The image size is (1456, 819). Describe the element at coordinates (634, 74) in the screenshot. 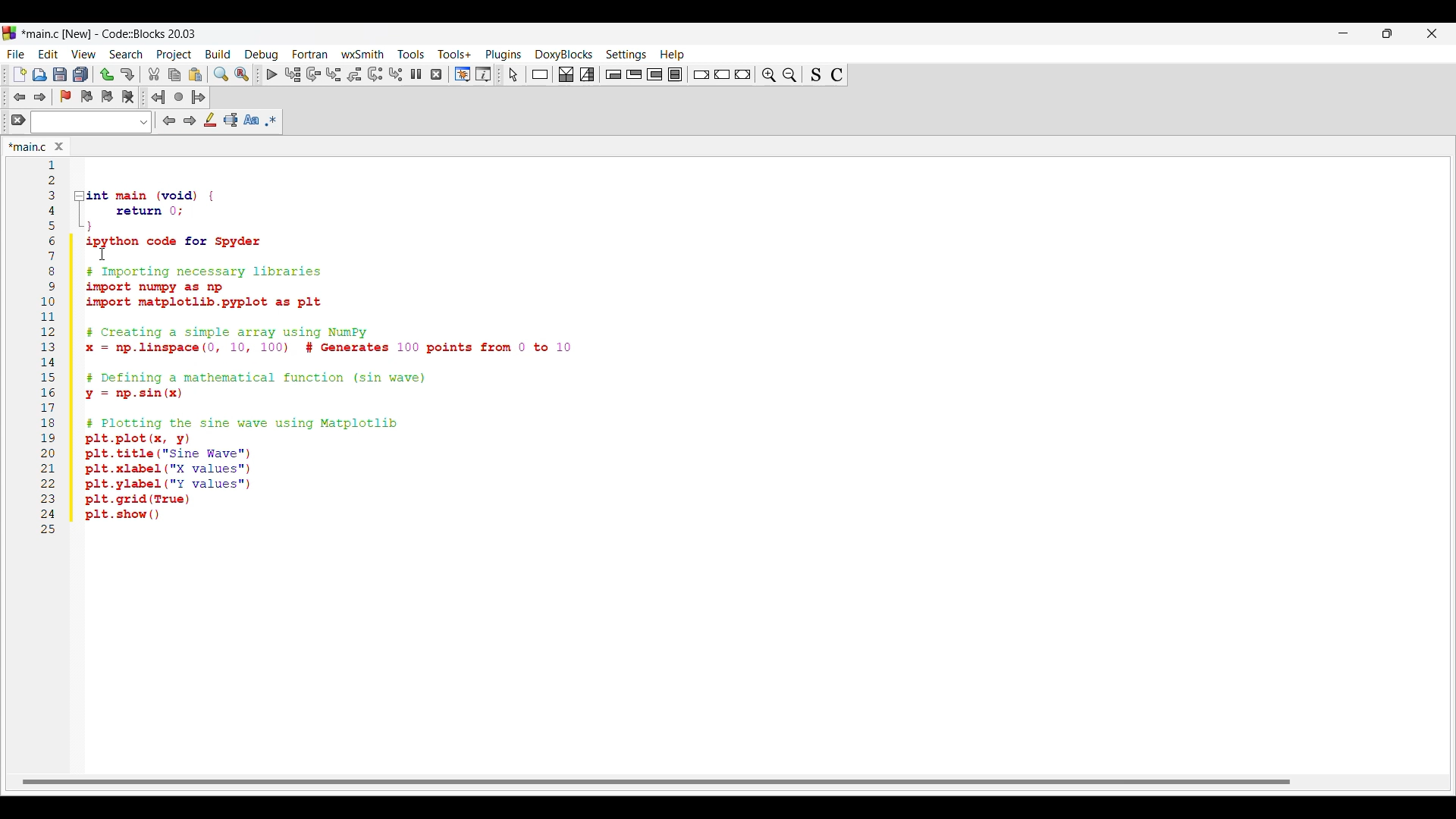

I see `Exit condition loop` at that location.